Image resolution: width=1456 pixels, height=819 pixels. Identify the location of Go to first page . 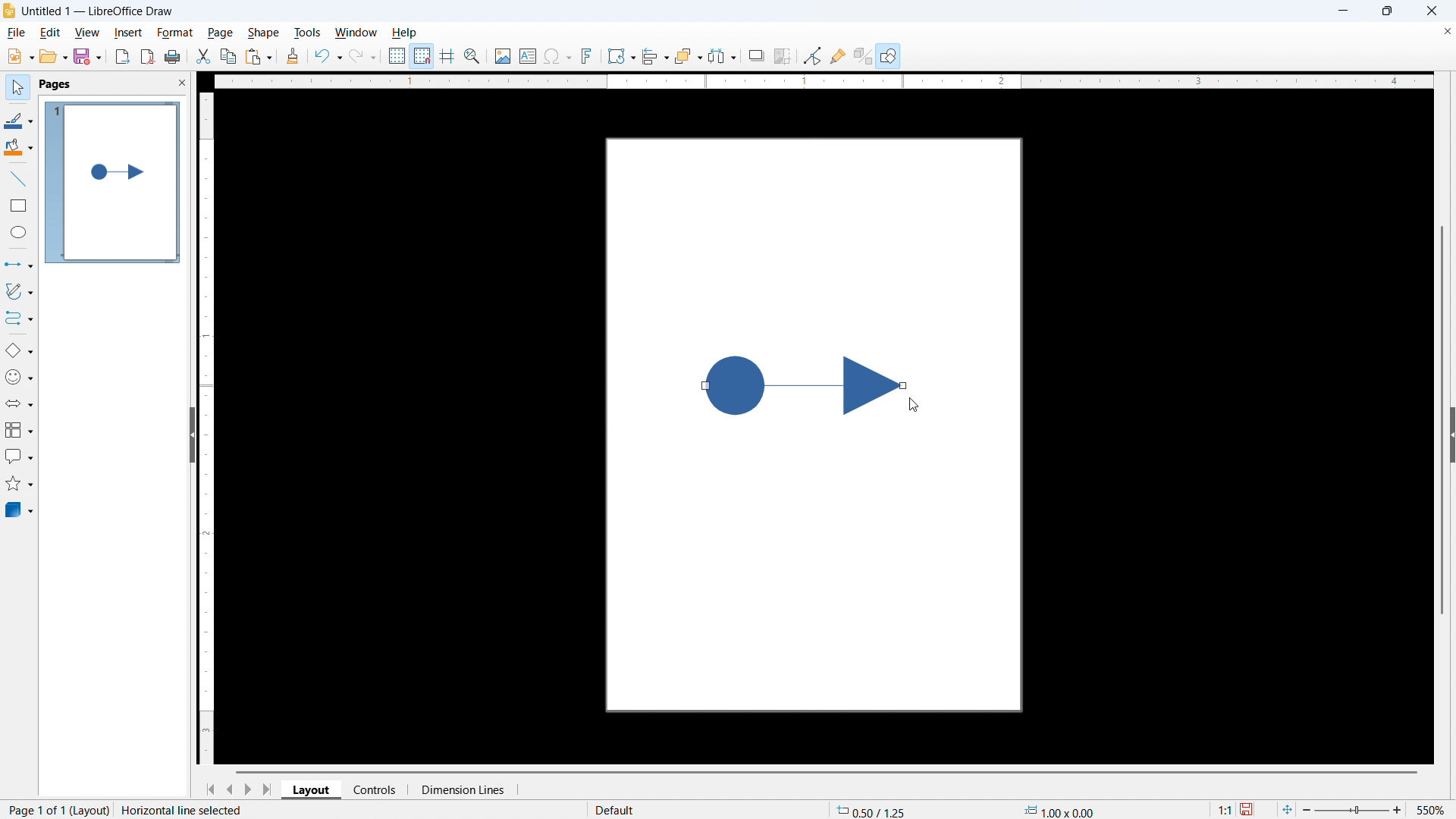
(209, 790).